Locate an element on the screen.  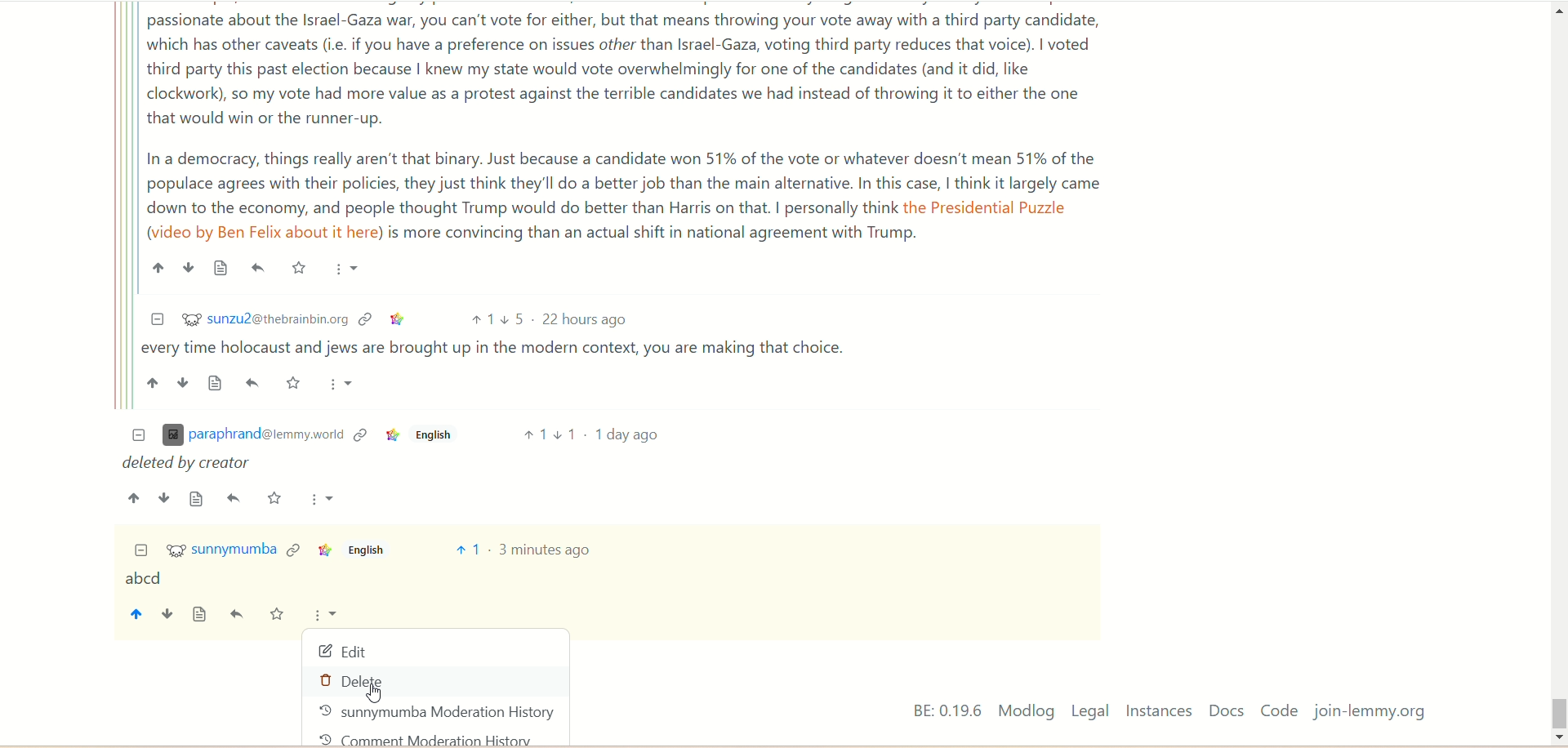
3 minutes ago is located at coordinates (546, 550).